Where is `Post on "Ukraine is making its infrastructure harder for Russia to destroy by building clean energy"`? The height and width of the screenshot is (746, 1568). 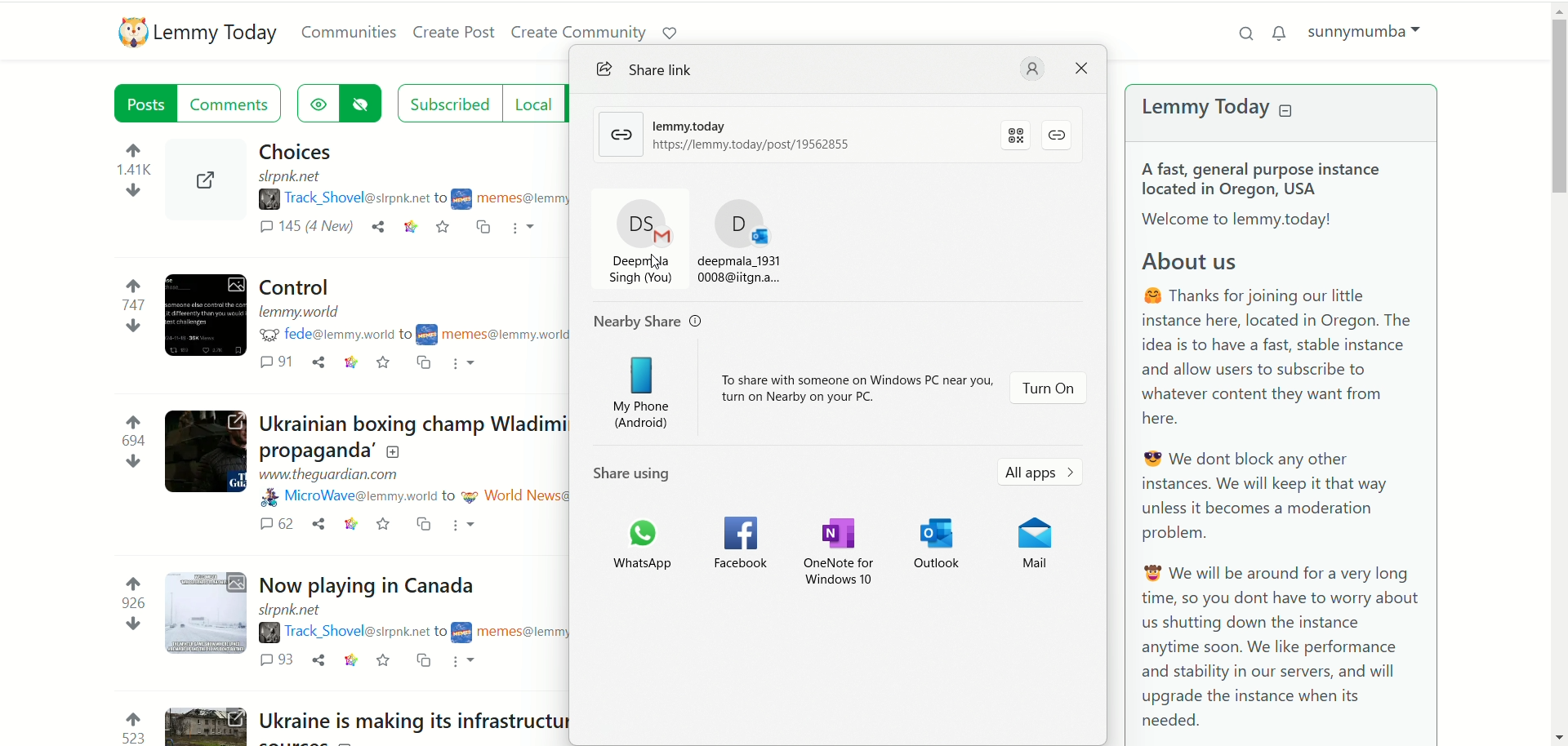 Post on "Ukraine is making its infrastructure harder for Russia to destroy by building clean energy" is located at coordinates (670, 719).